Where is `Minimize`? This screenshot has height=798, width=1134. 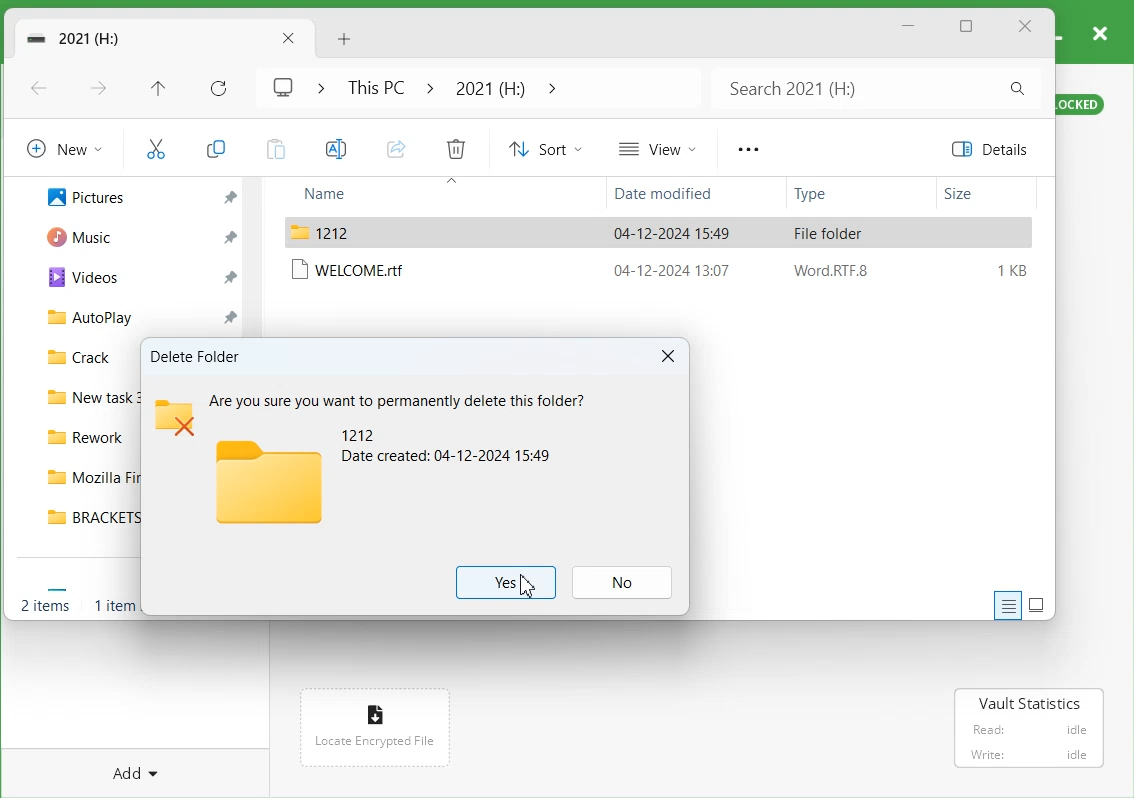
Minimize is located at coordinates (909, 27).